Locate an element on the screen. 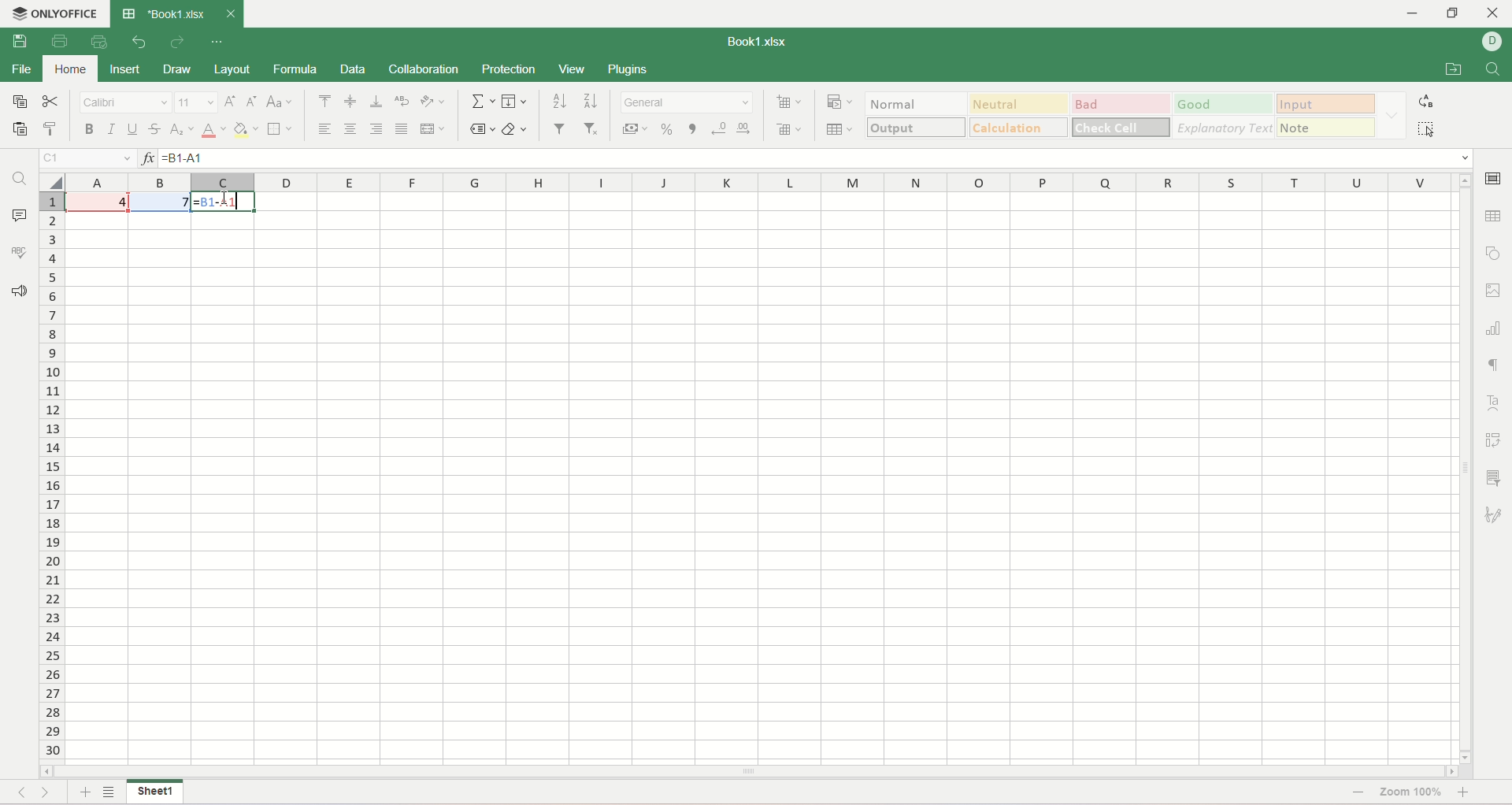 Image resolution: width=1512 pixels, height=805 pixels. redo is located at coordinates (177, 43).